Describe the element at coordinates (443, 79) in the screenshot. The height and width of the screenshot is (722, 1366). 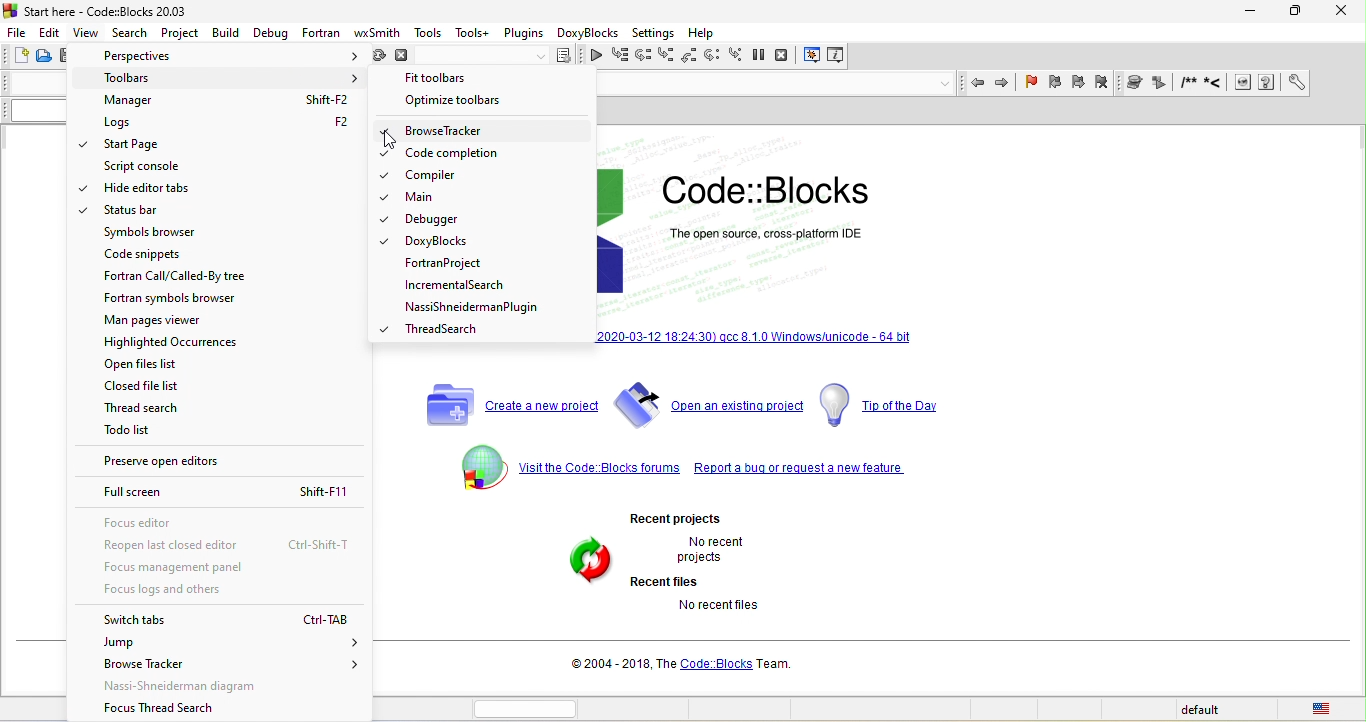
I see `fit toolbars` at that location.